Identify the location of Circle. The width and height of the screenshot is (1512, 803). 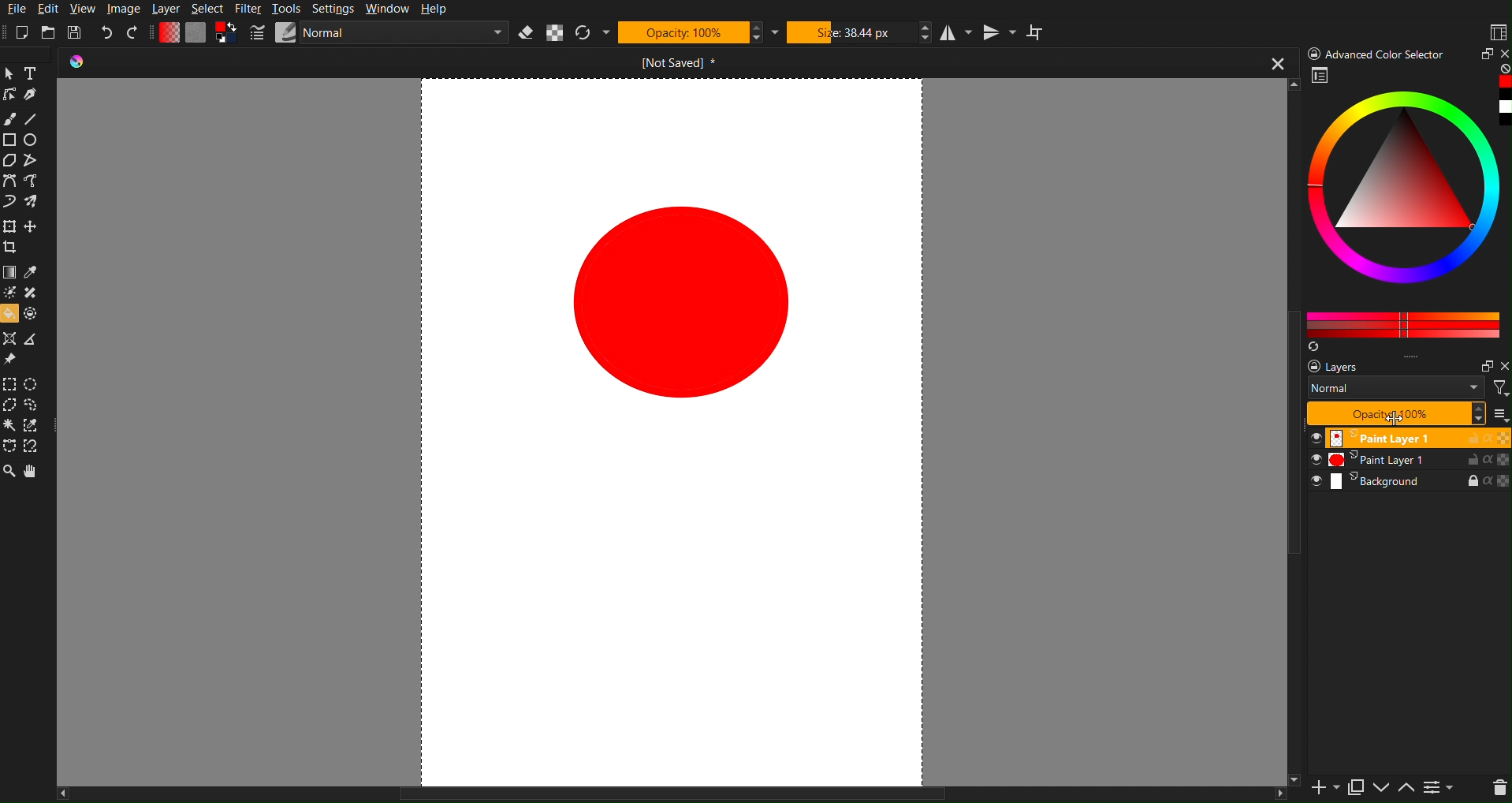
(683, 306).